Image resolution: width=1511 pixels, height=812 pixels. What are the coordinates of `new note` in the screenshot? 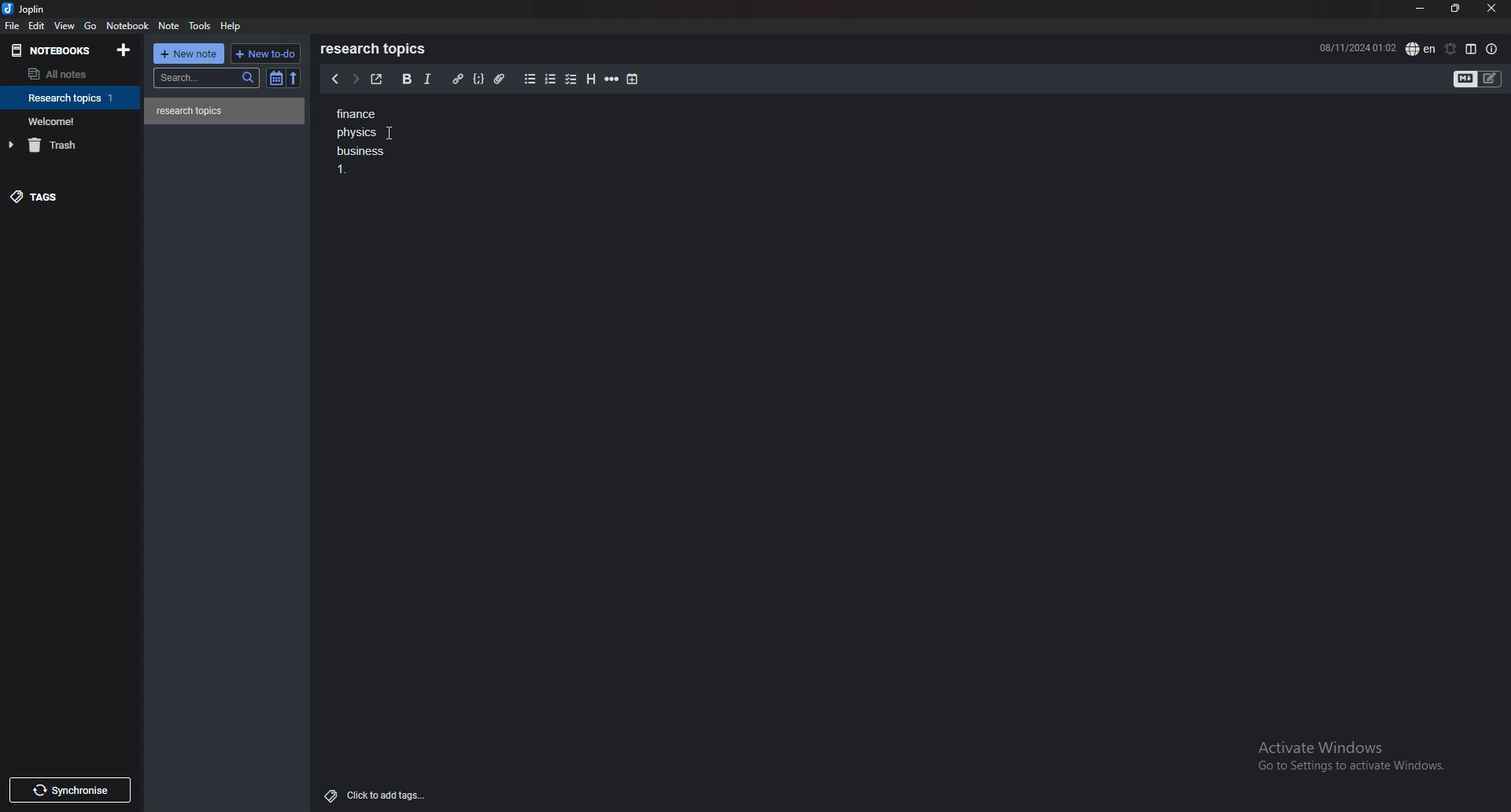 It's located at (190, 53).